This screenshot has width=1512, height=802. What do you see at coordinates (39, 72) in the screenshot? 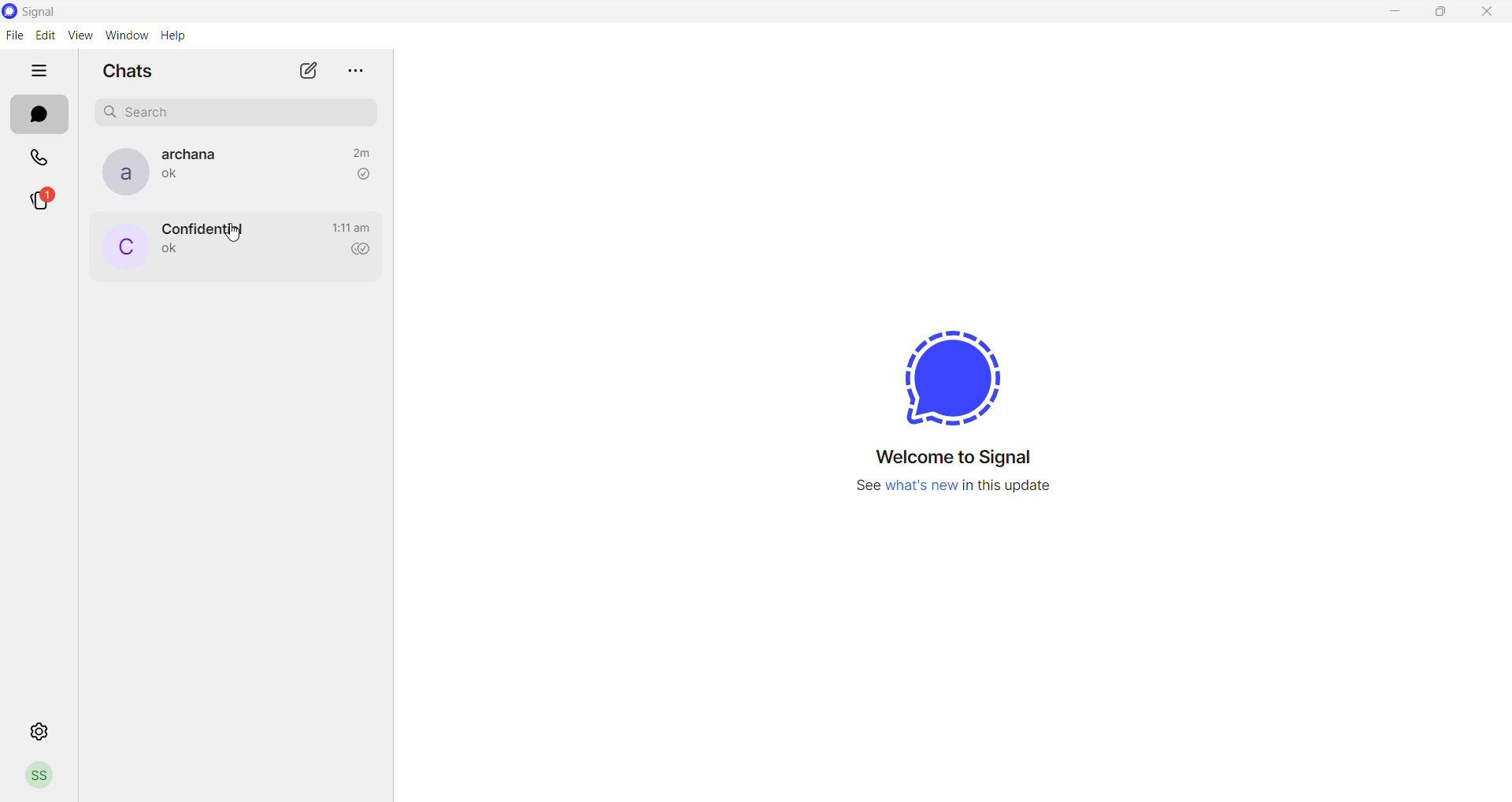
I see `hide` at bounding box center [39, 72].